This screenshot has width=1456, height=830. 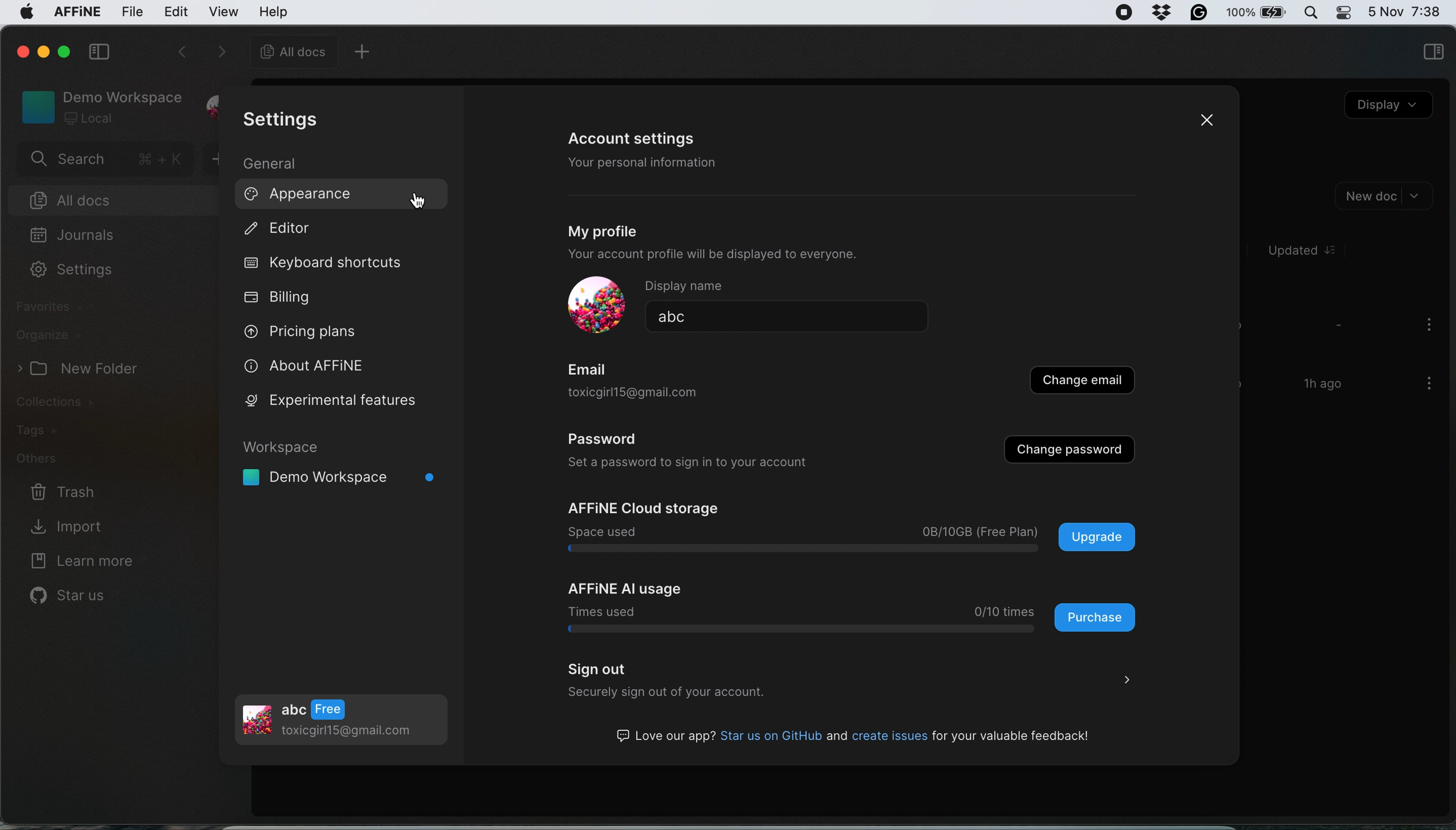 What do you see at coordinates (341, 446) in the screenshot?
I see `workspace` at bounding box center [341, 446].